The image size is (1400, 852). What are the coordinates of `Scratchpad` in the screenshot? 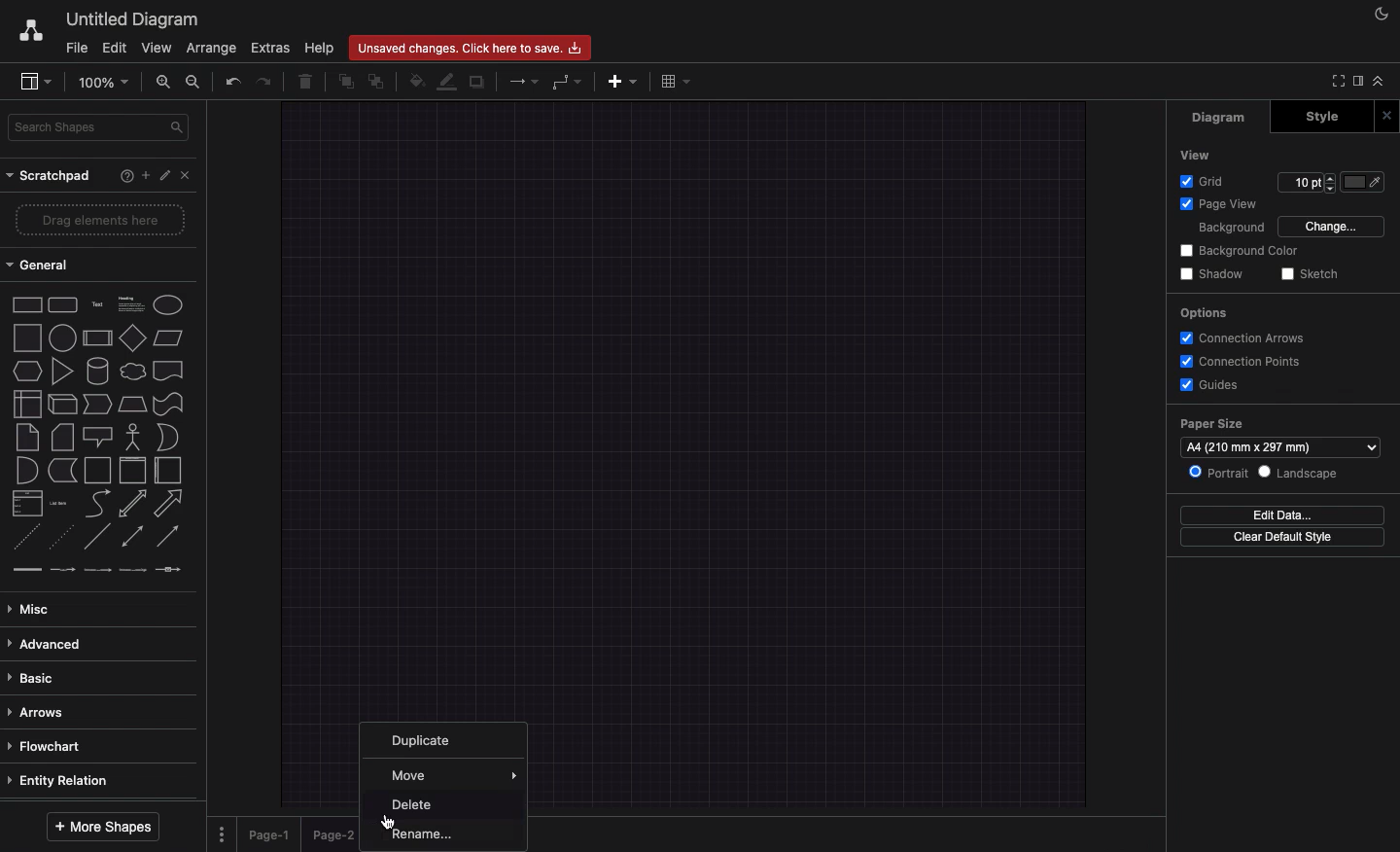 It's located at (53, 175).